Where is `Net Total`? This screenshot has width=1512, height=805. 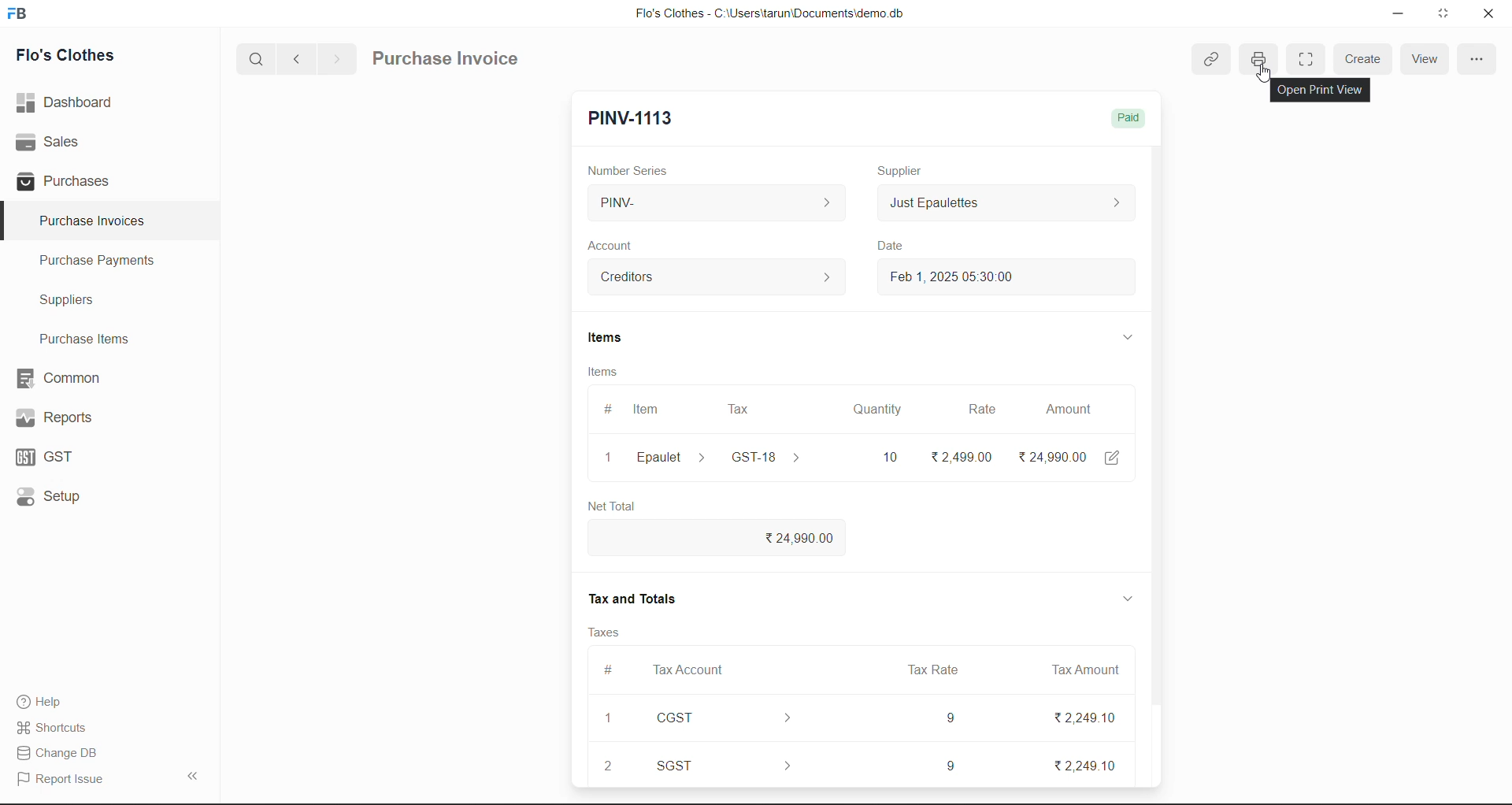
Net Total is located at coordinates (618, 504).